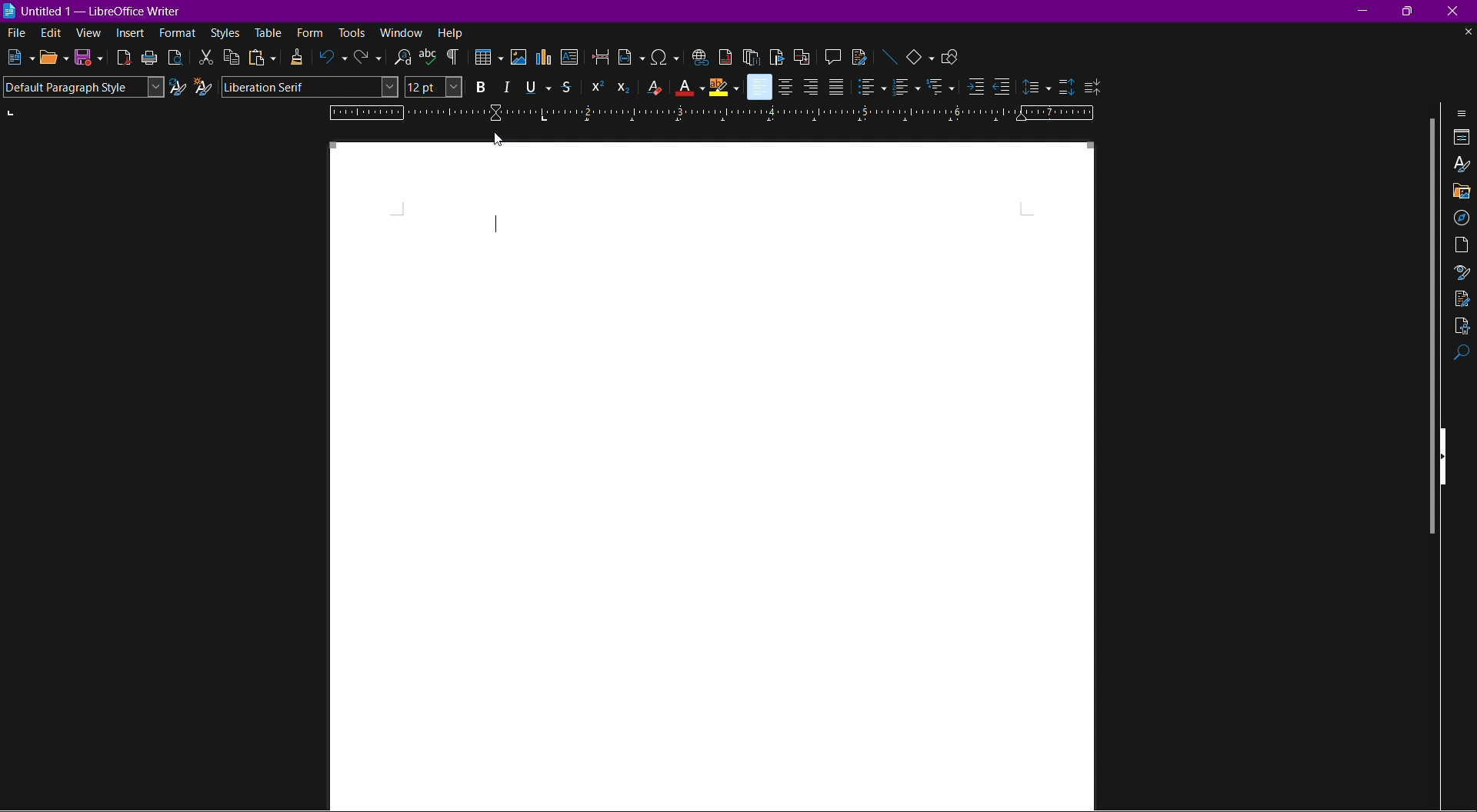 The image size is (1477, 812). Describe the element at coordinates (452, 32) in the screenshot. I see `Help` at that location.